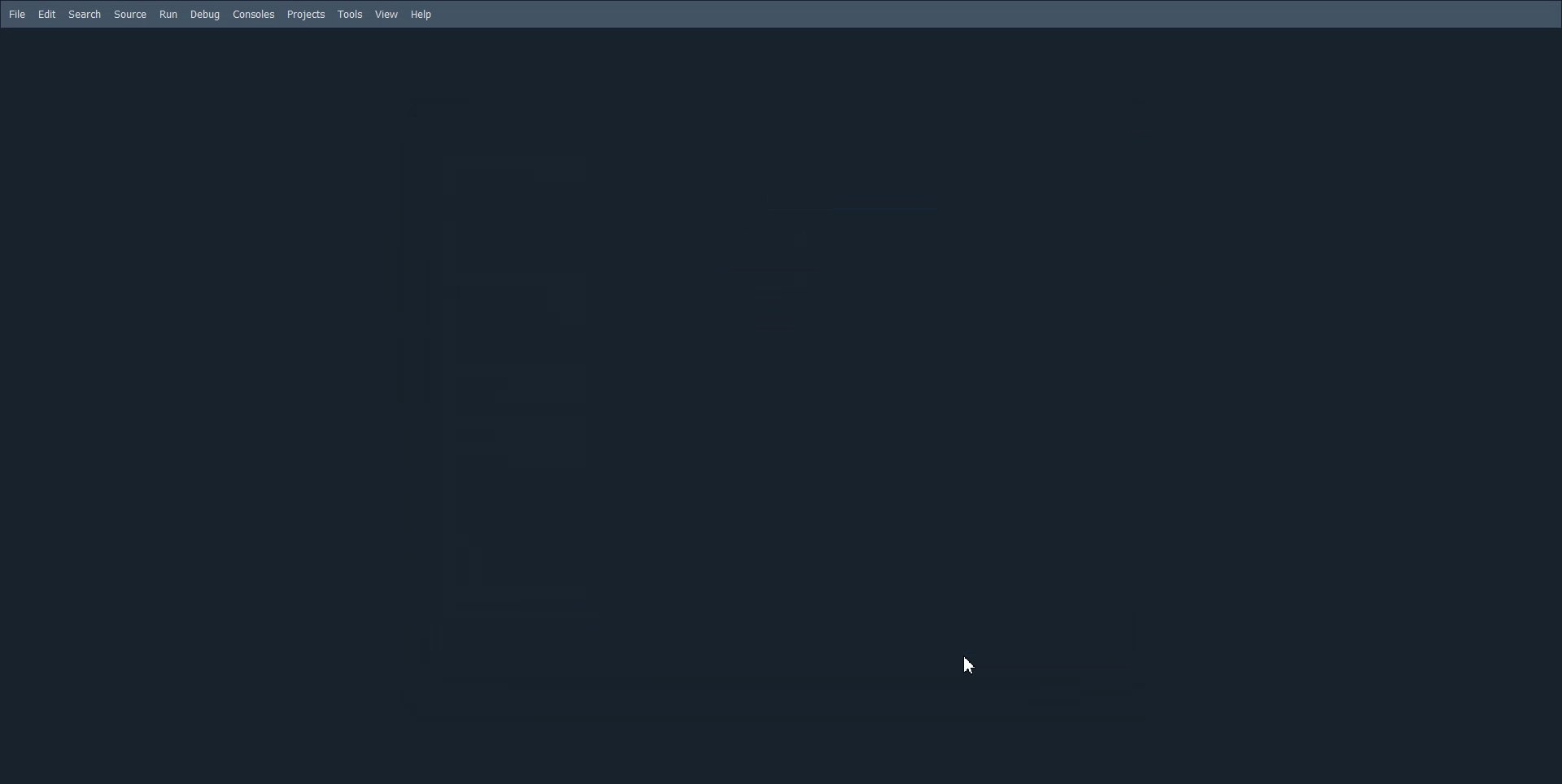  Describe the element at coordinates (46, 15) in the screenshot. I see `Edit` at that location.